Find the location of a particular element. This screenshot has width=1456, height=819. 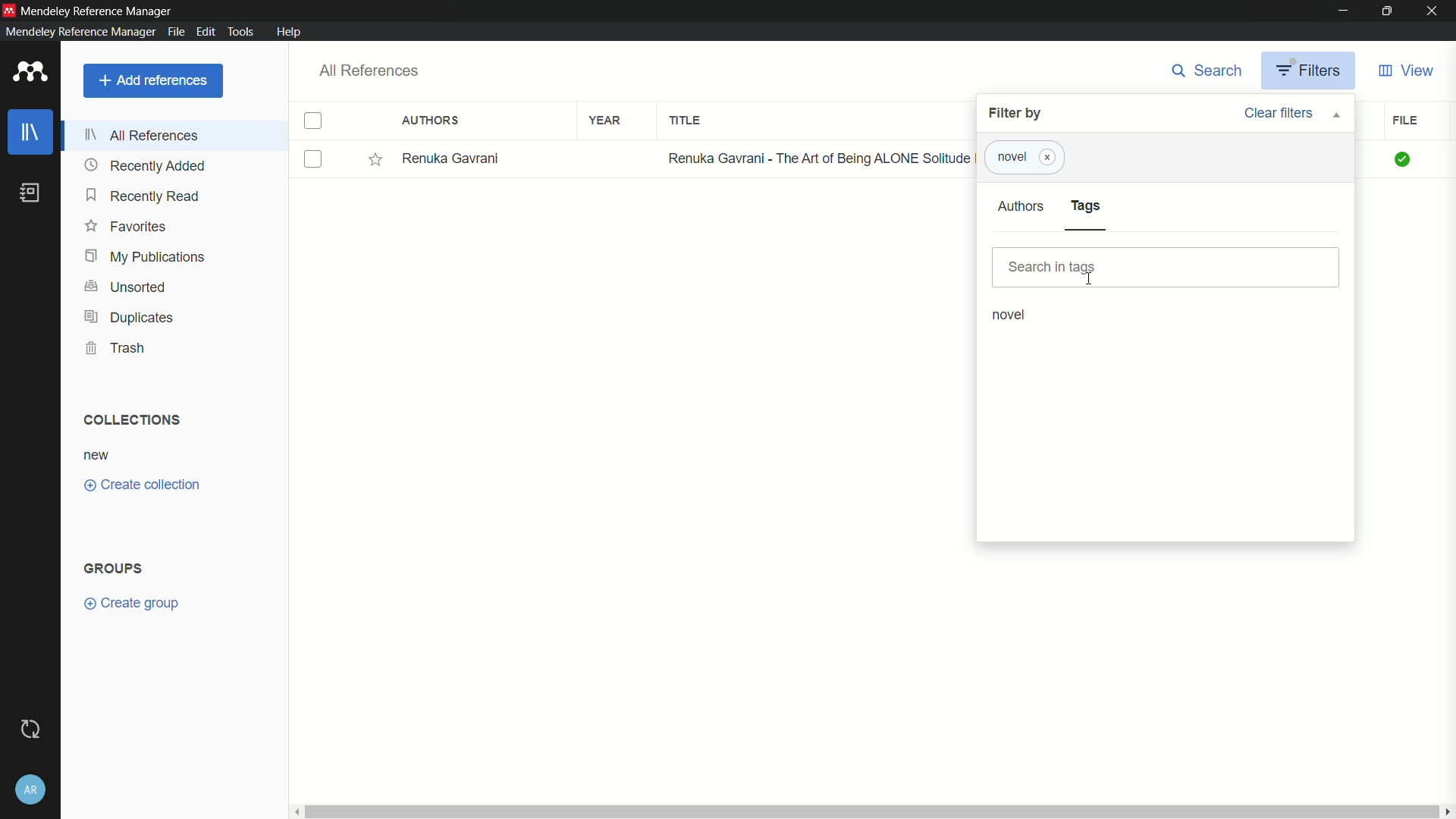

tools menu is located at coordinates (242, 32).